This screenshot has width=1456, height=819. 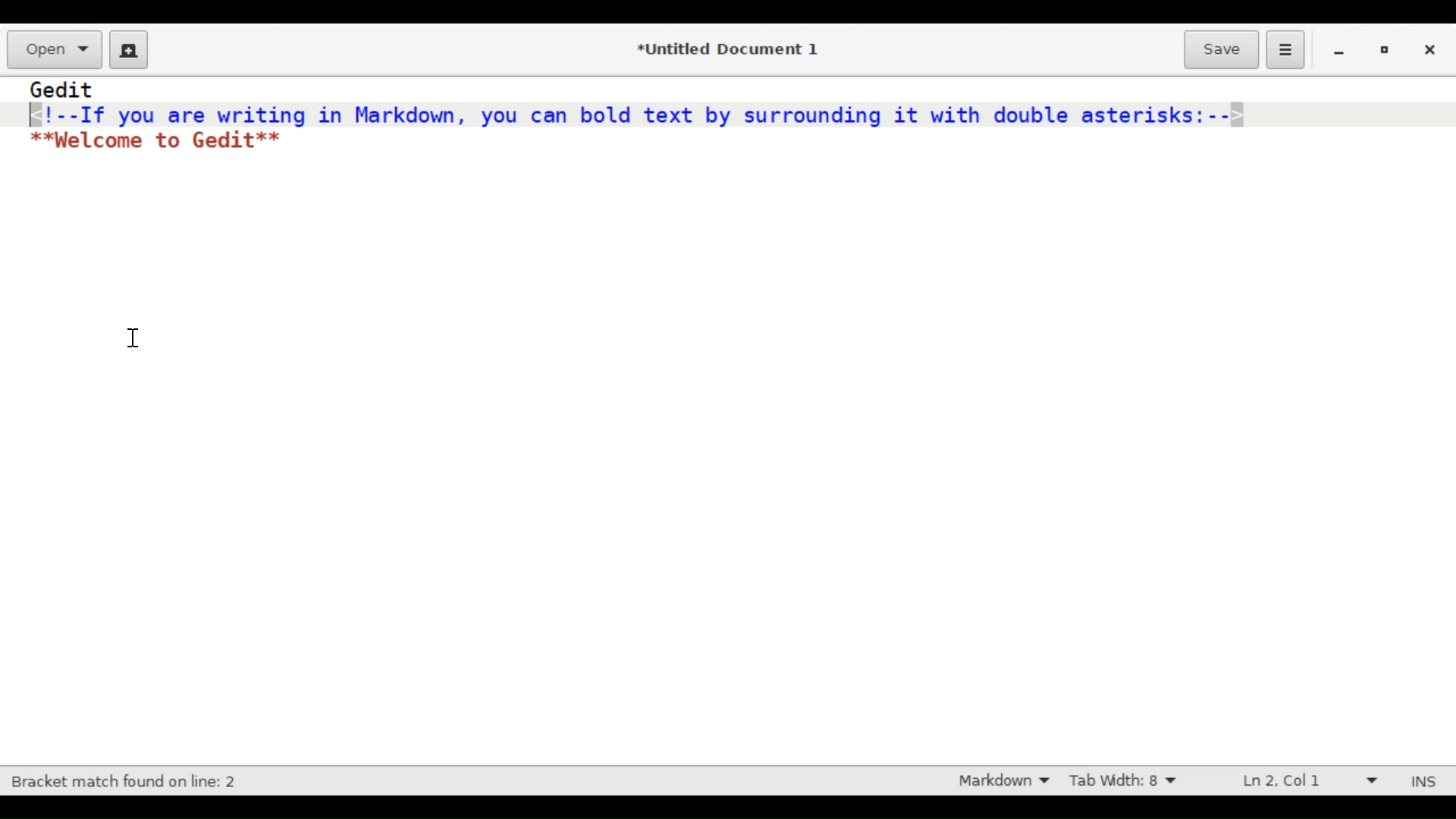 What do you see at coordinates (1431, 50) in the screenshot?
I see `Close` at bounding box center [1431, 50].